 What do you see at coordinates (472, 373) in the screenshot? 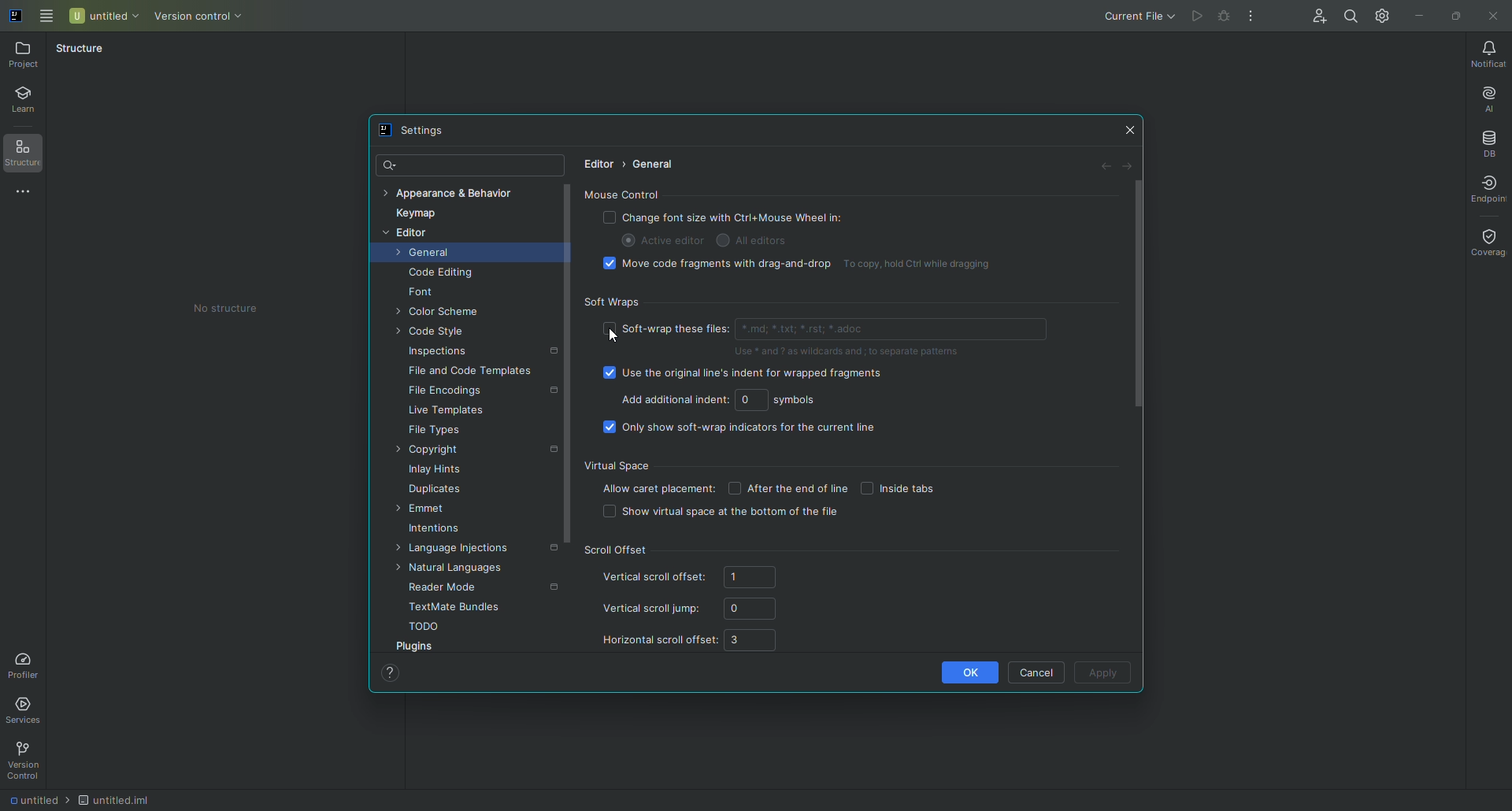
I see `File and Code Templates` at bounding box center [472, 373].